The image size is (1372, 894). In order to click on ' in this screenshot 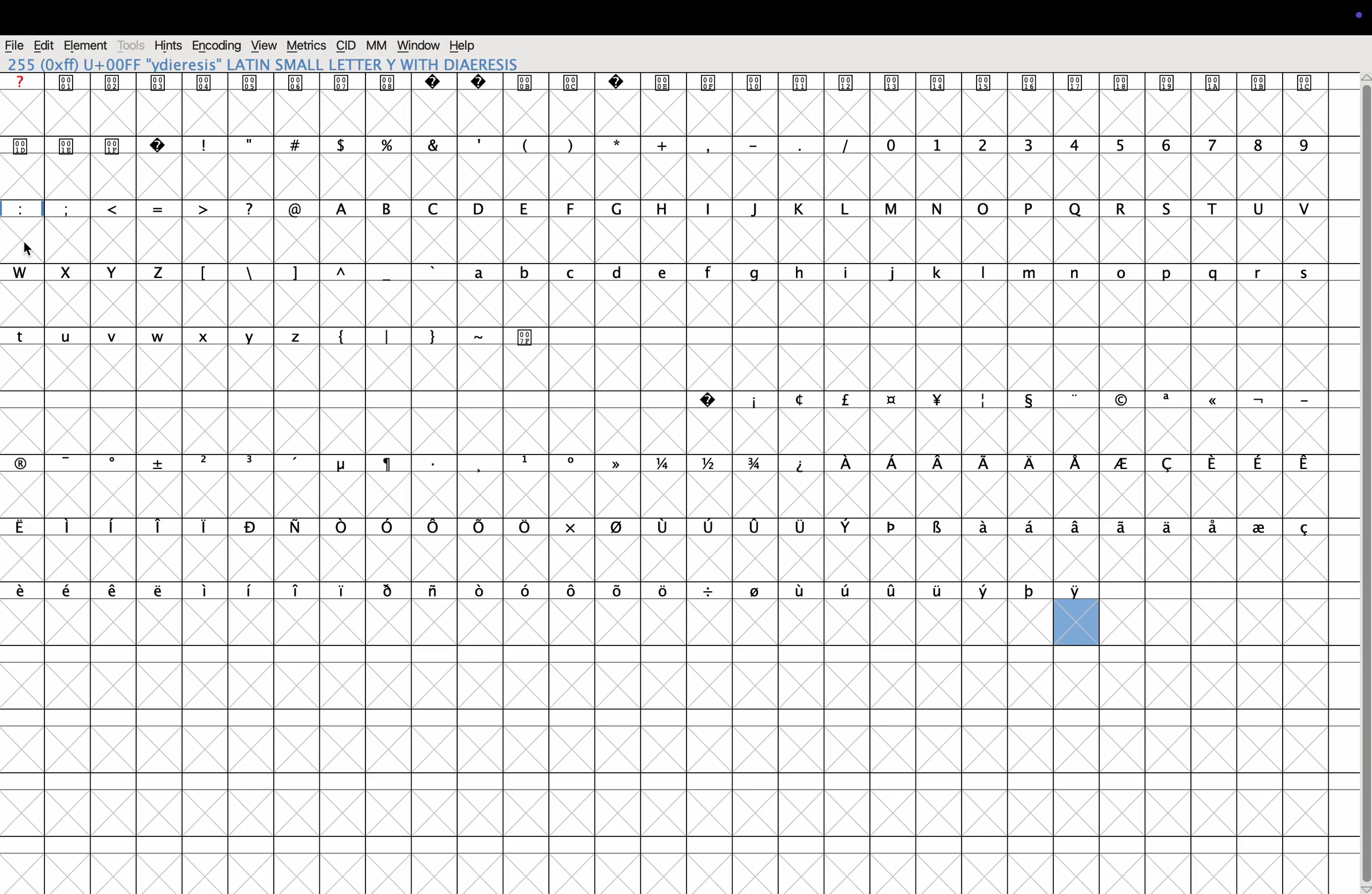, I will do `click(436, 286)`.